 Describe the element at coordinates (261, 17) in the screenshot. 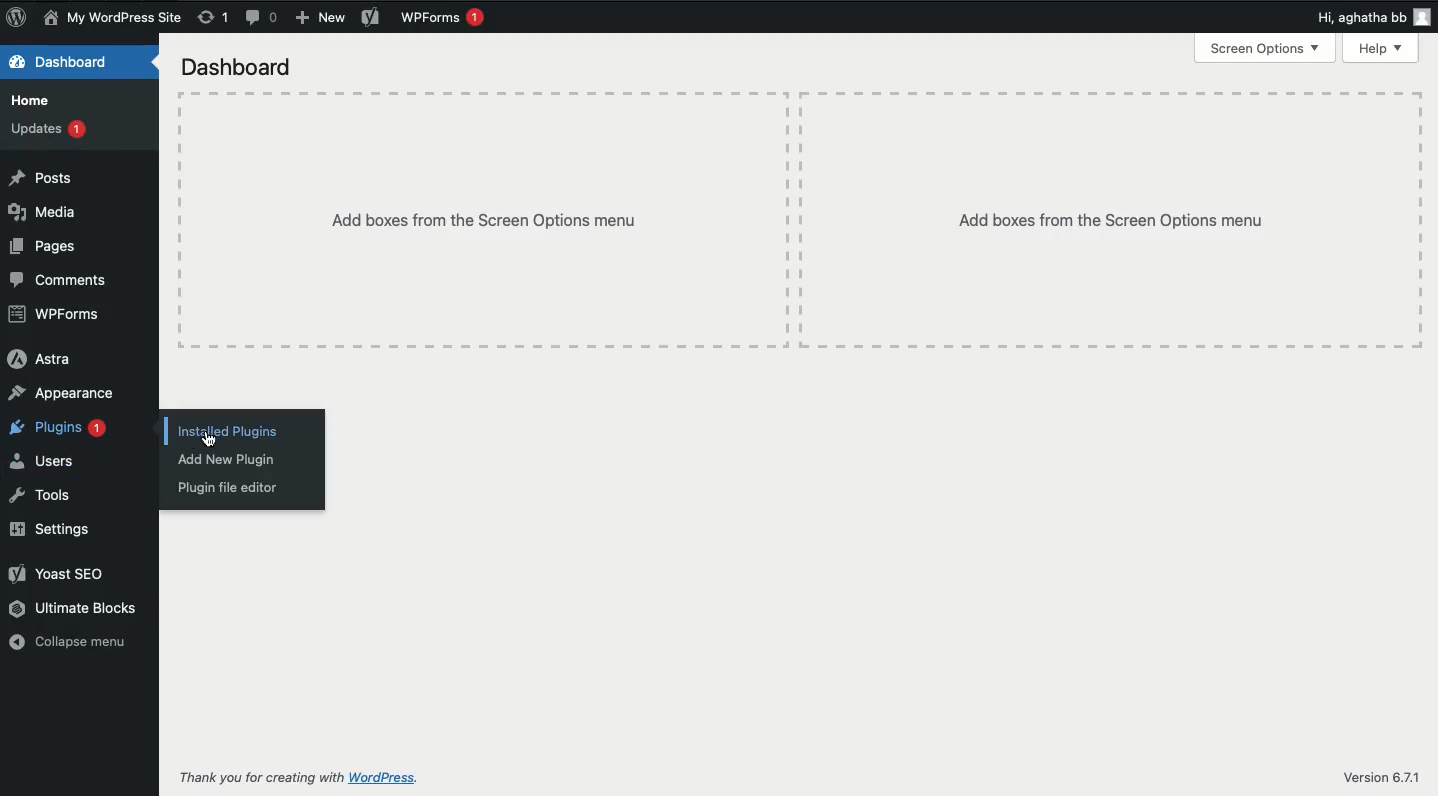

I see `Comments` at that location.